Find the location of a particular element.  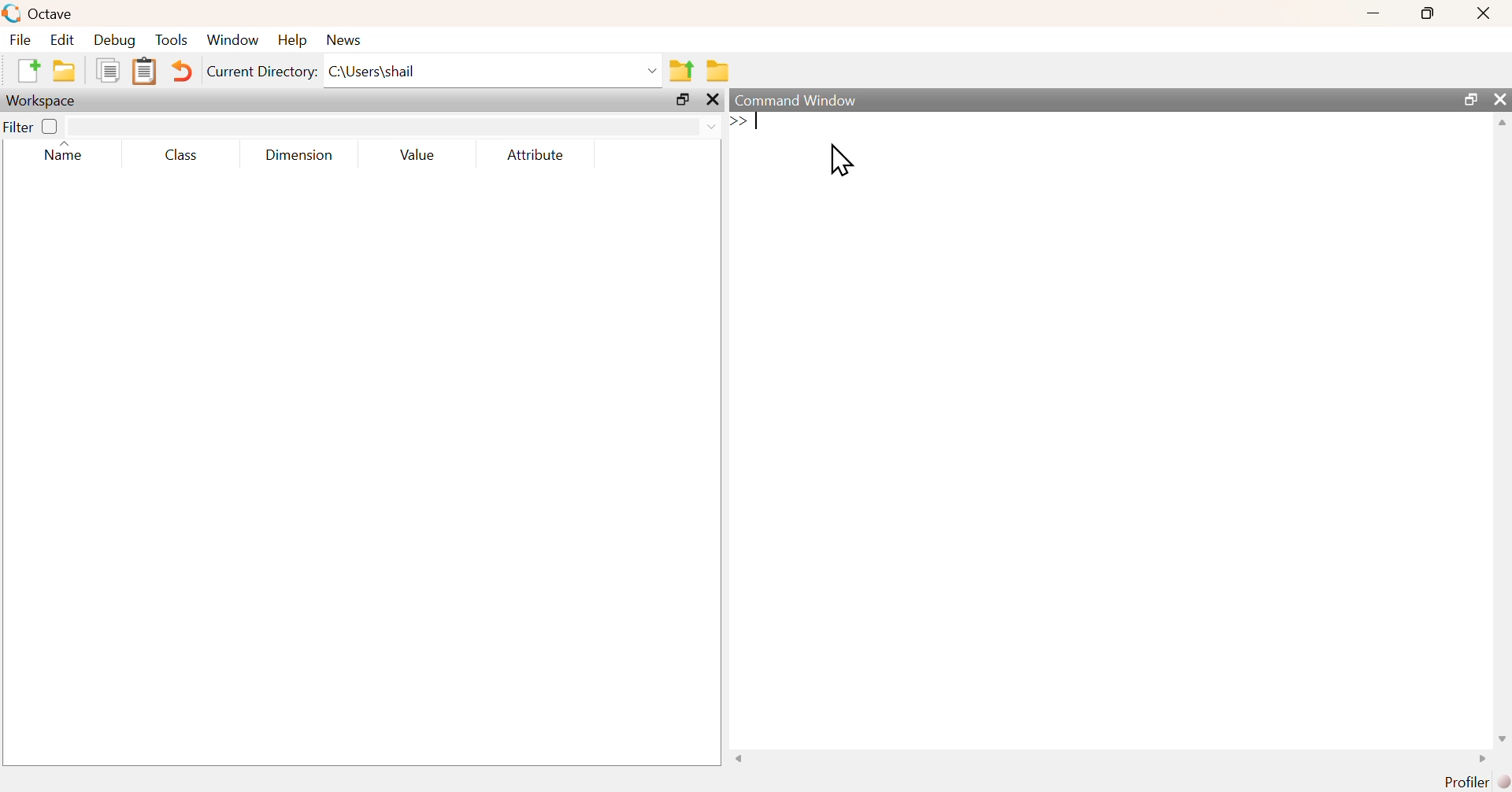

C:\Users\shail  is located at coordinates (494, 74).